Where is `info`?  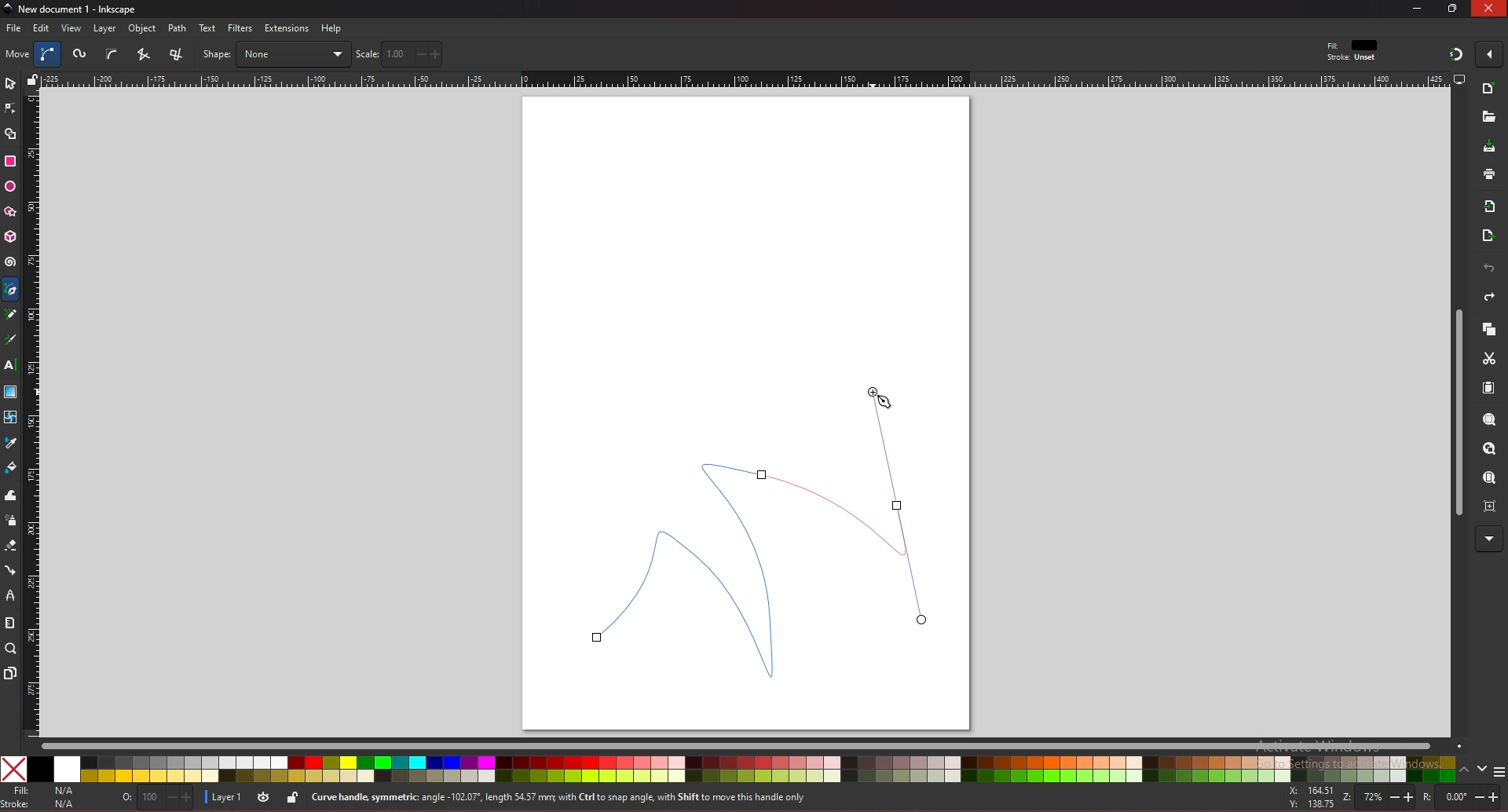
info is located at coordinates (588, 798).